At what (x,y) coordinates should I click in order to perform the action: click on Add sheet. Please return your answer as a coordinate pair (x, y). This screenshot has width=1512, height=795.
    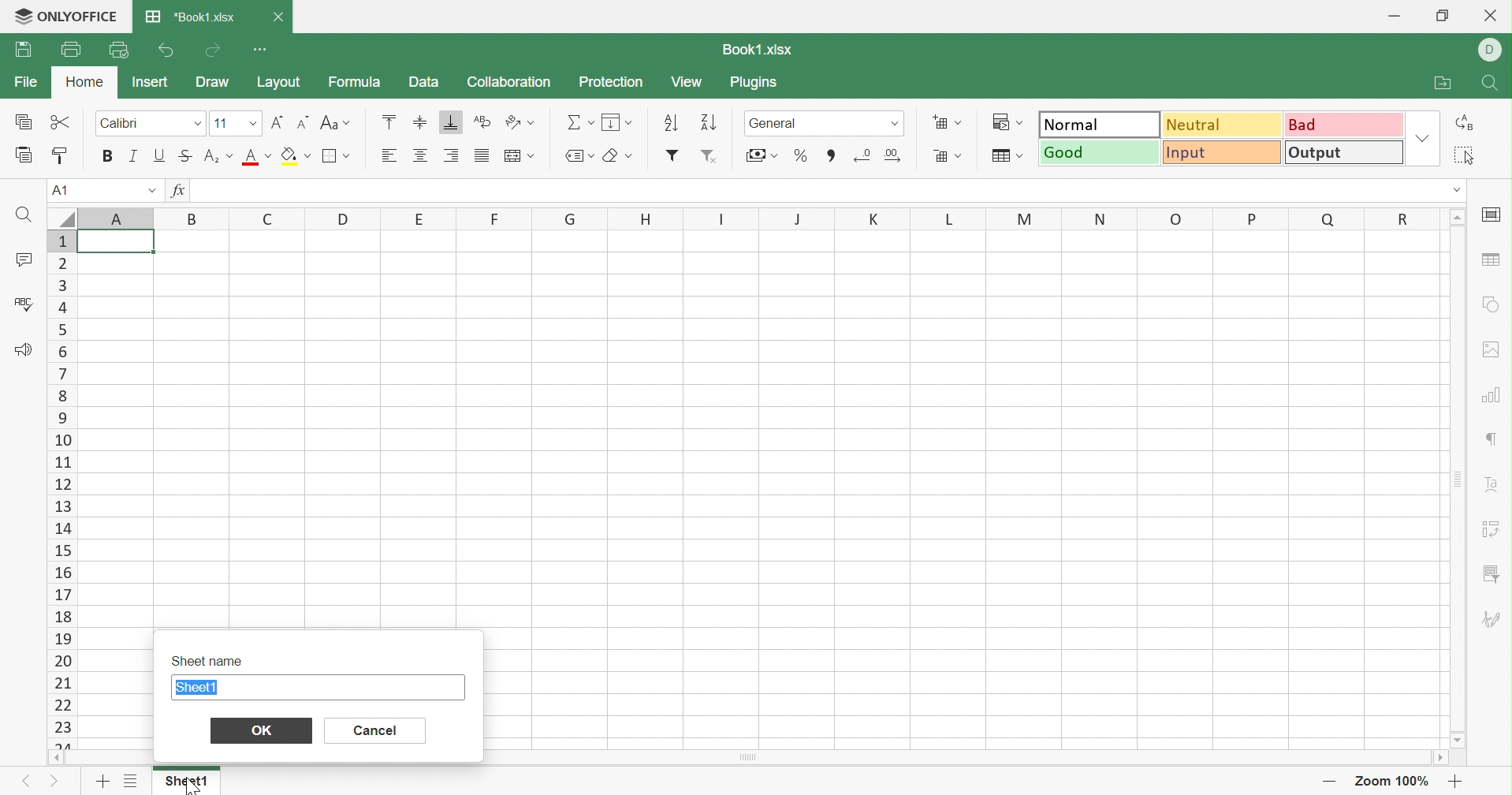
    Looking at the image, I should click on (102, 781).